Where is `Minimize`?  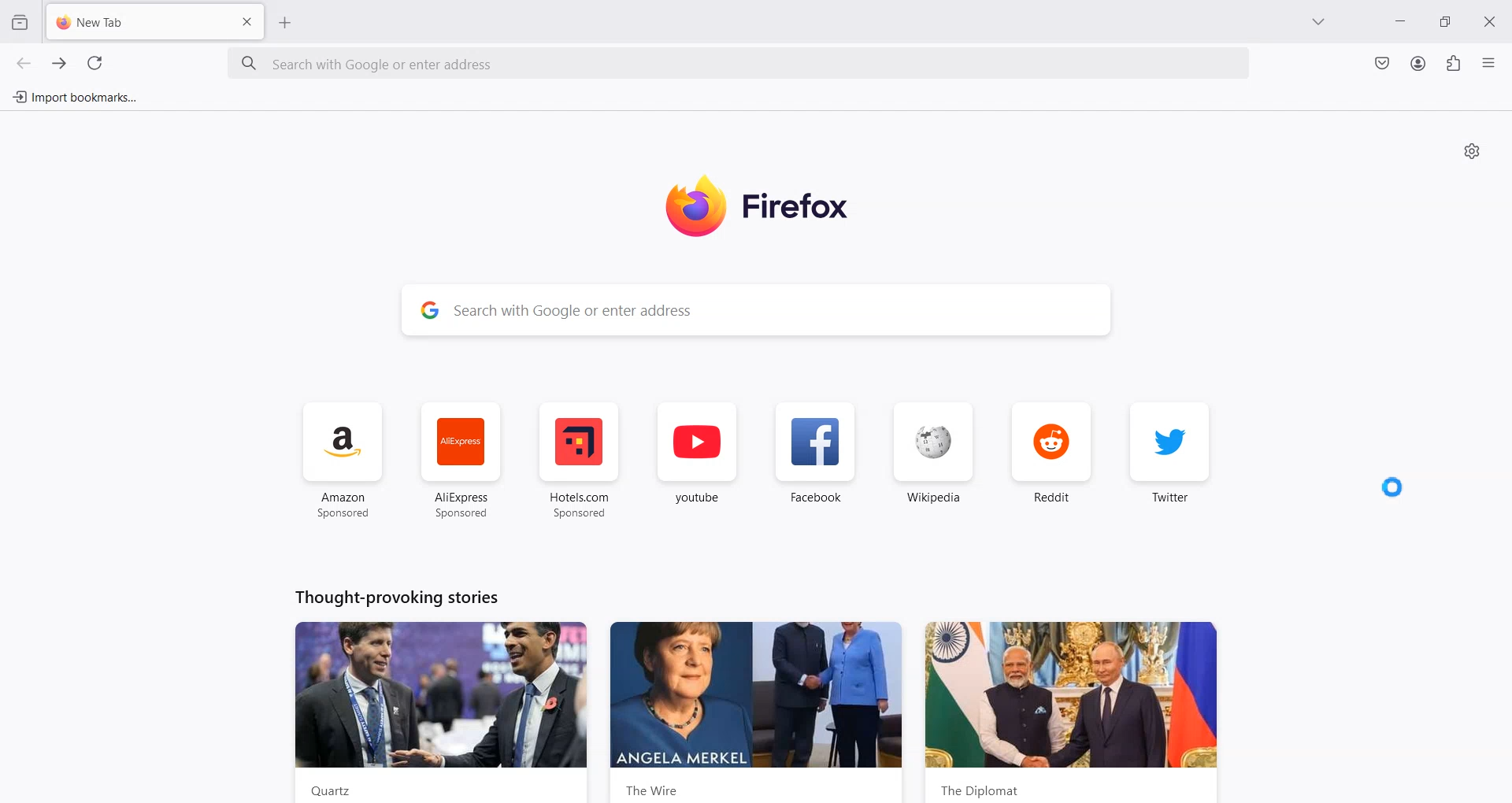 Minimize is located at coordinates (1402, 24).